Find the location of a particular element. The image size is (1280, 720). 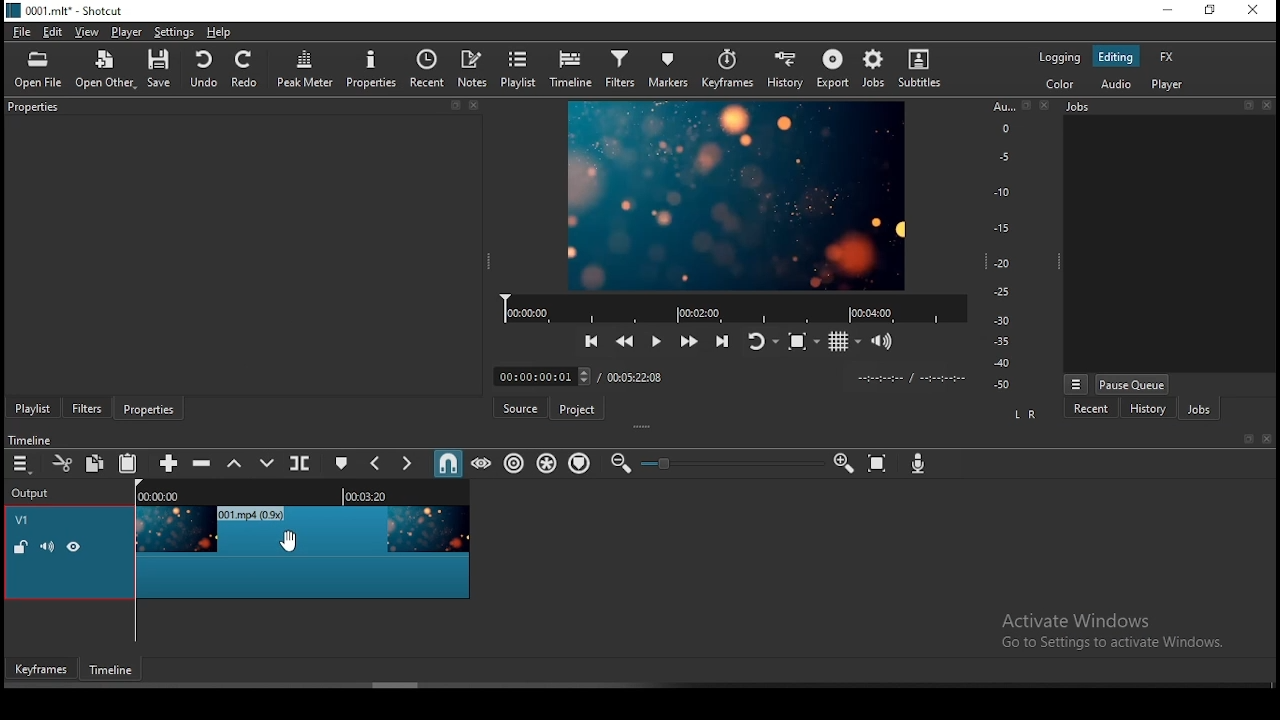

playback time is located at coordinates (727, 307).